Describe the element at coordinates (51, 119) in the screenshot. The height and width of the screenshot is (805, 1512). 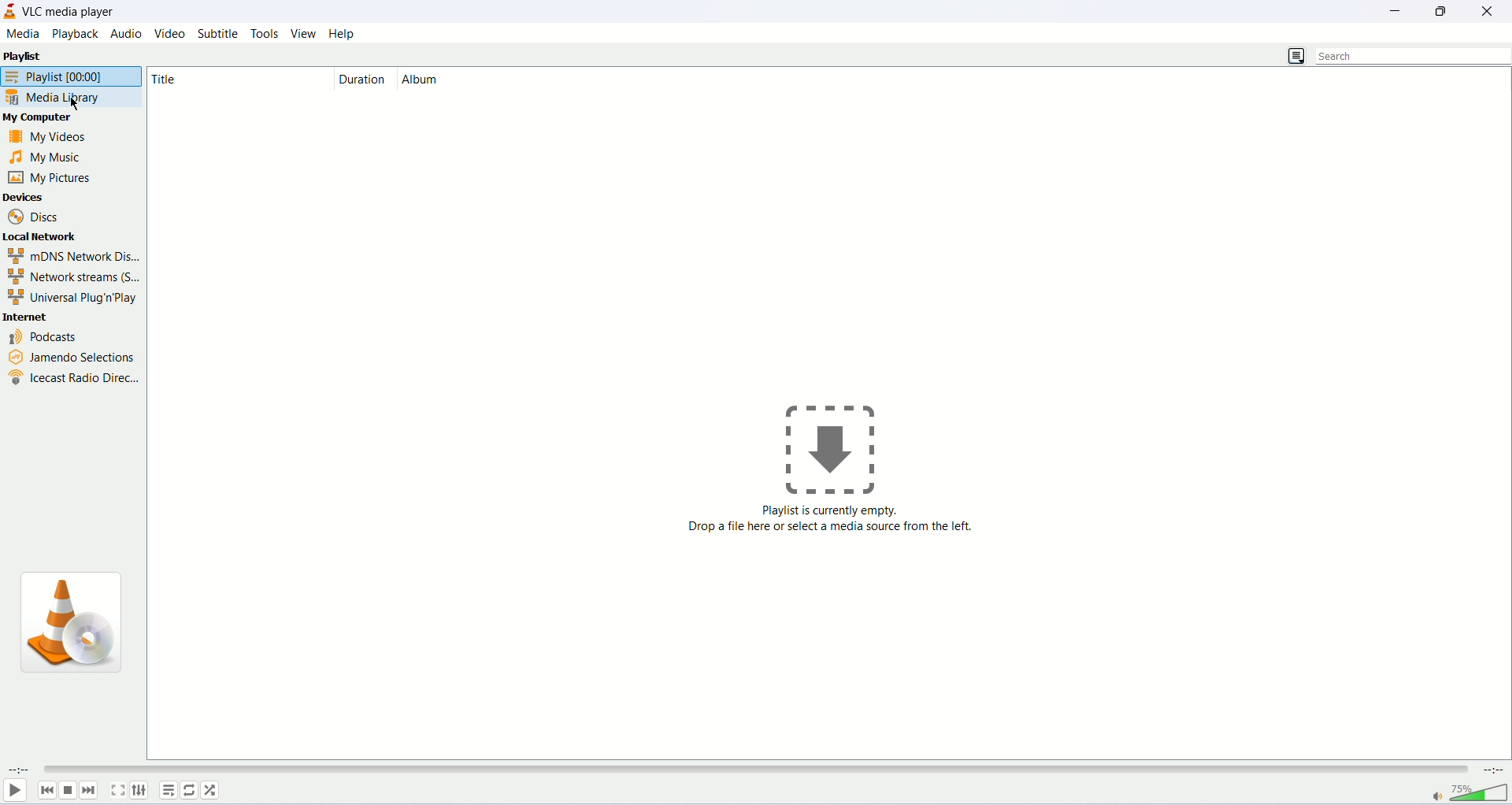
I see `my computer` at that location.